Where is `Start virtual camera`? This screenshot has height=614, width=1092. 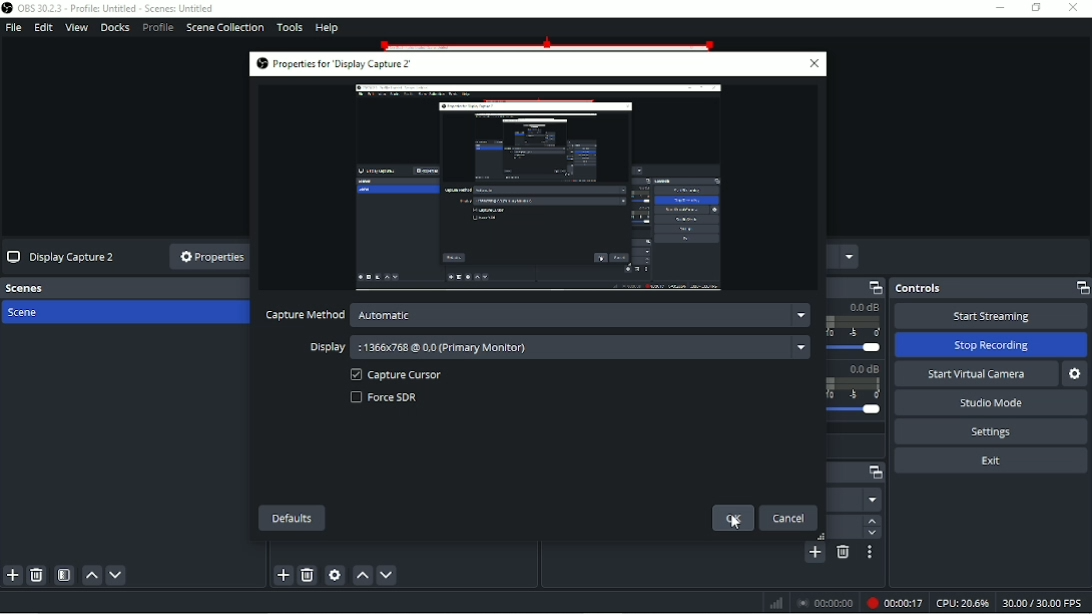 Start virtual camera is located at coordinates (976, 375).